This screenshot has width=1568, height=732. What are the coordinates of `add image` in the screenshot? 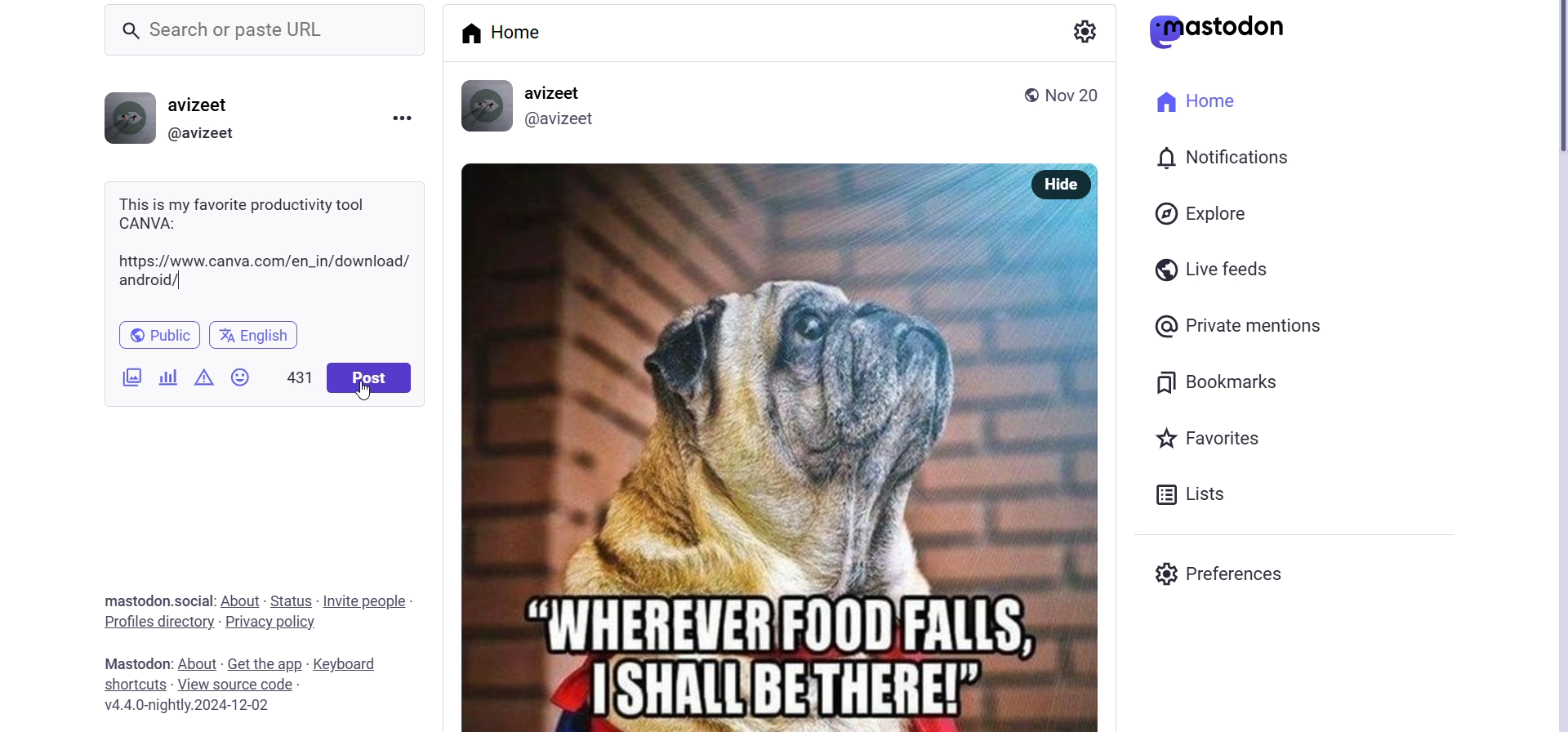 It's located at (122, 377).